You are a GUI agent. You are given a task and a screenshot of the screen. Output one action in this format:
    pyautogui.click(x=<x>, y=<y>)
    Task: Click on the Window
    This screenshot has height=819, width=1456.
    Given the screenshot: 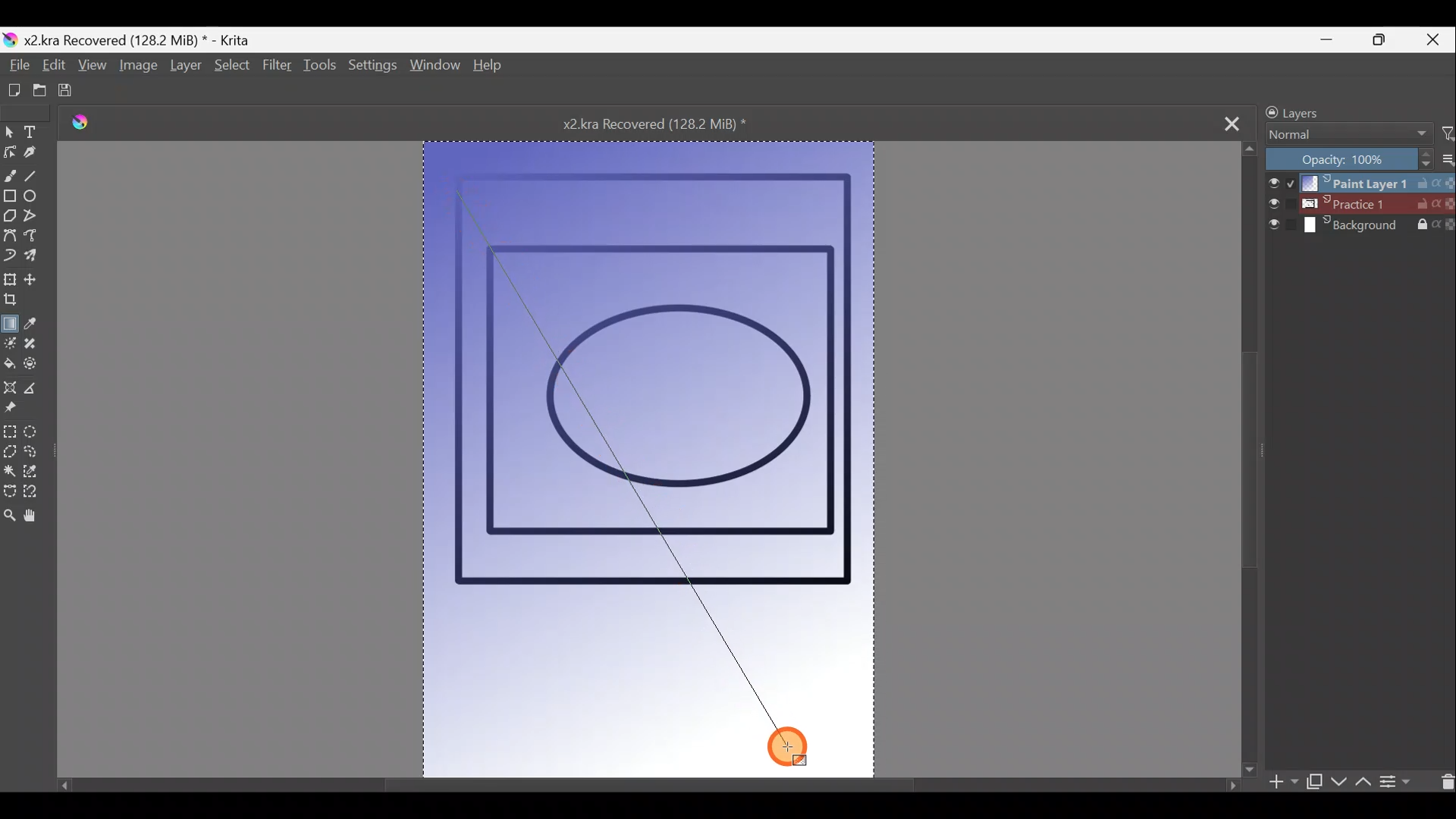 What is the action you would take?
    pyautogui.click(x=435, y=68)
    